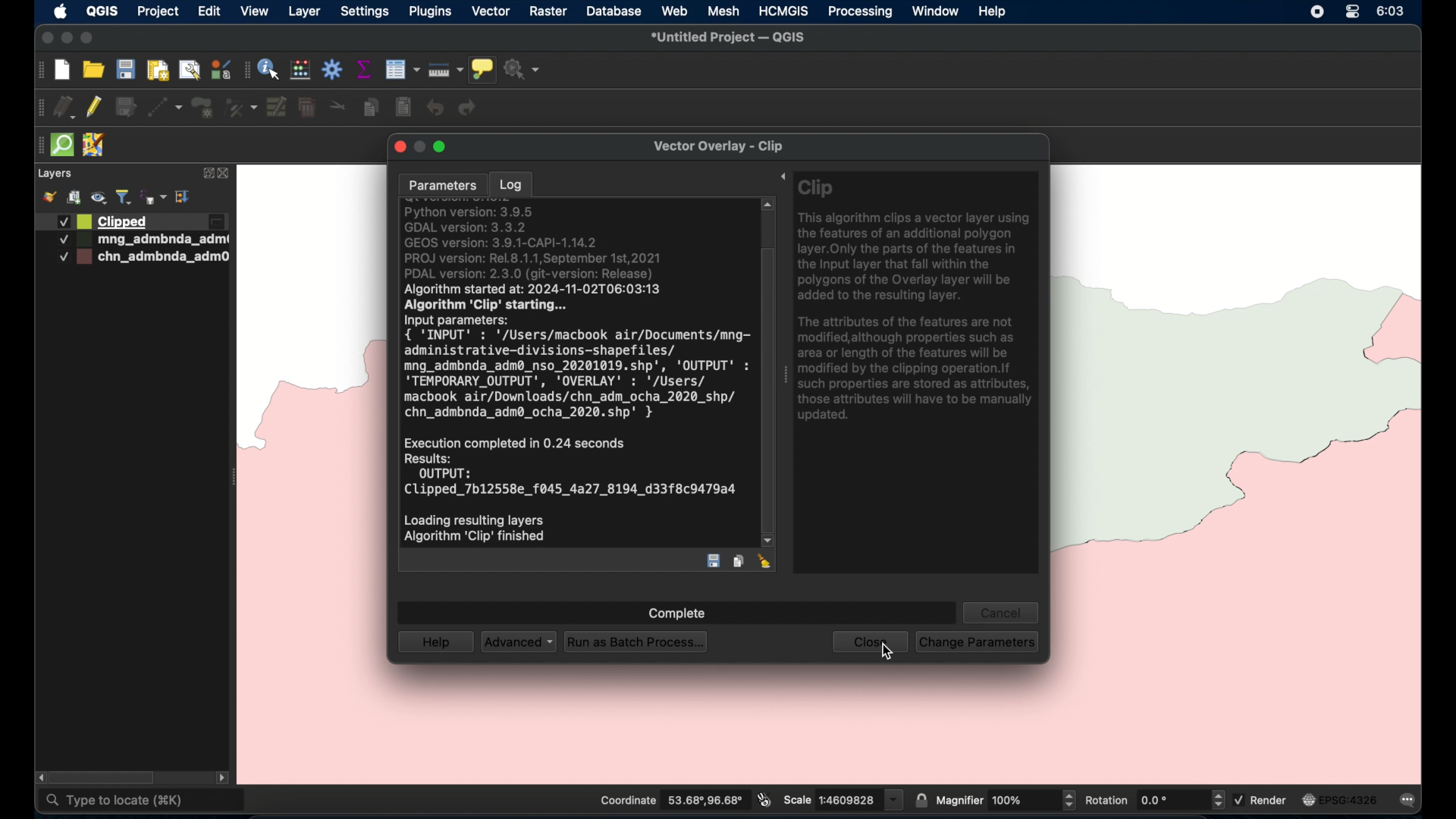  Describe the element at coordinates (61, 11) in the screenshot. I see `apple icon` at that location.